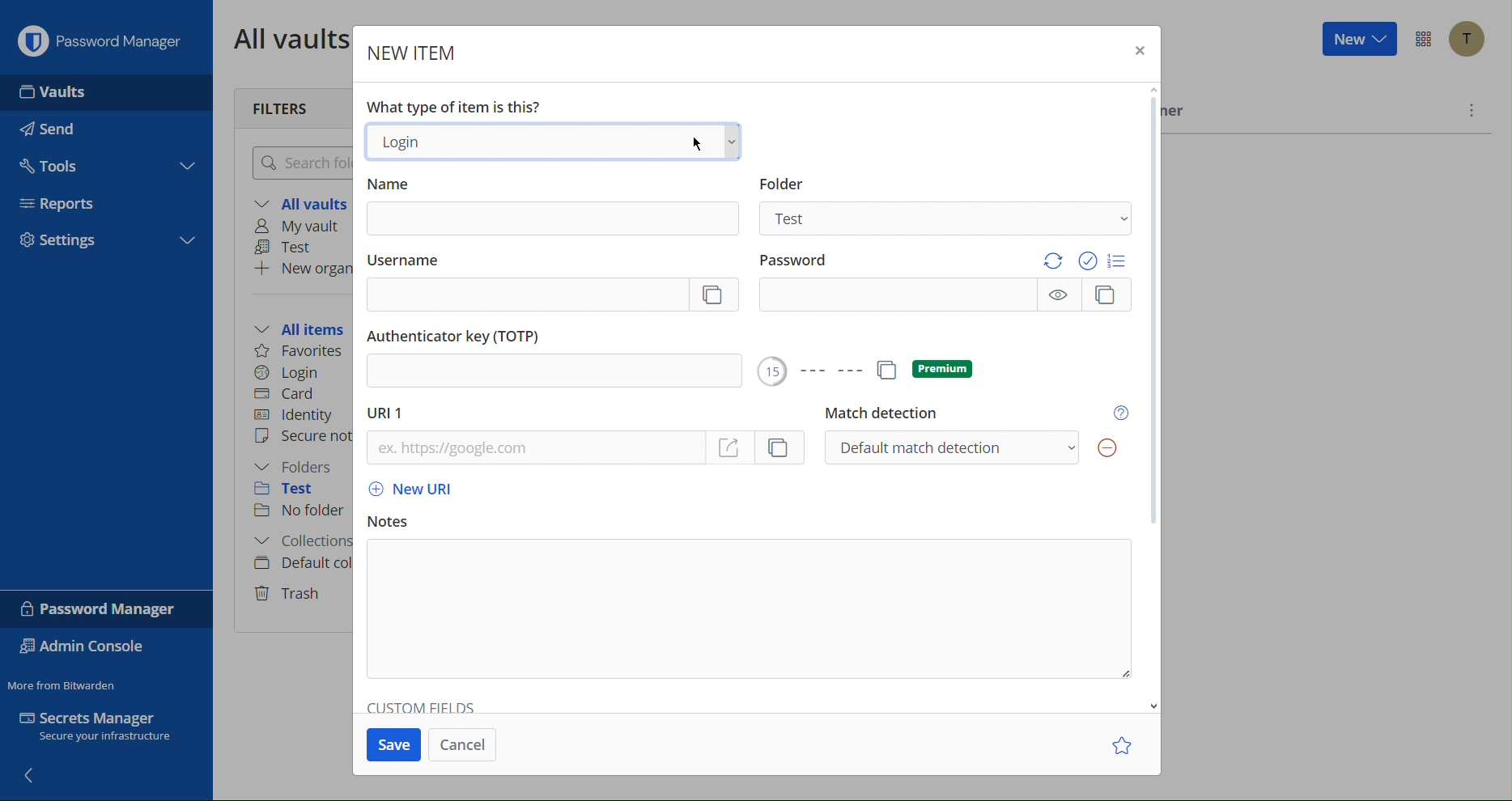 Image resolution: width=1512 pixels, height=801 pixels. What do you see at coordinates (1421, 37) in the screenshot?
I see `Options` at bounding box center [1421, 37].